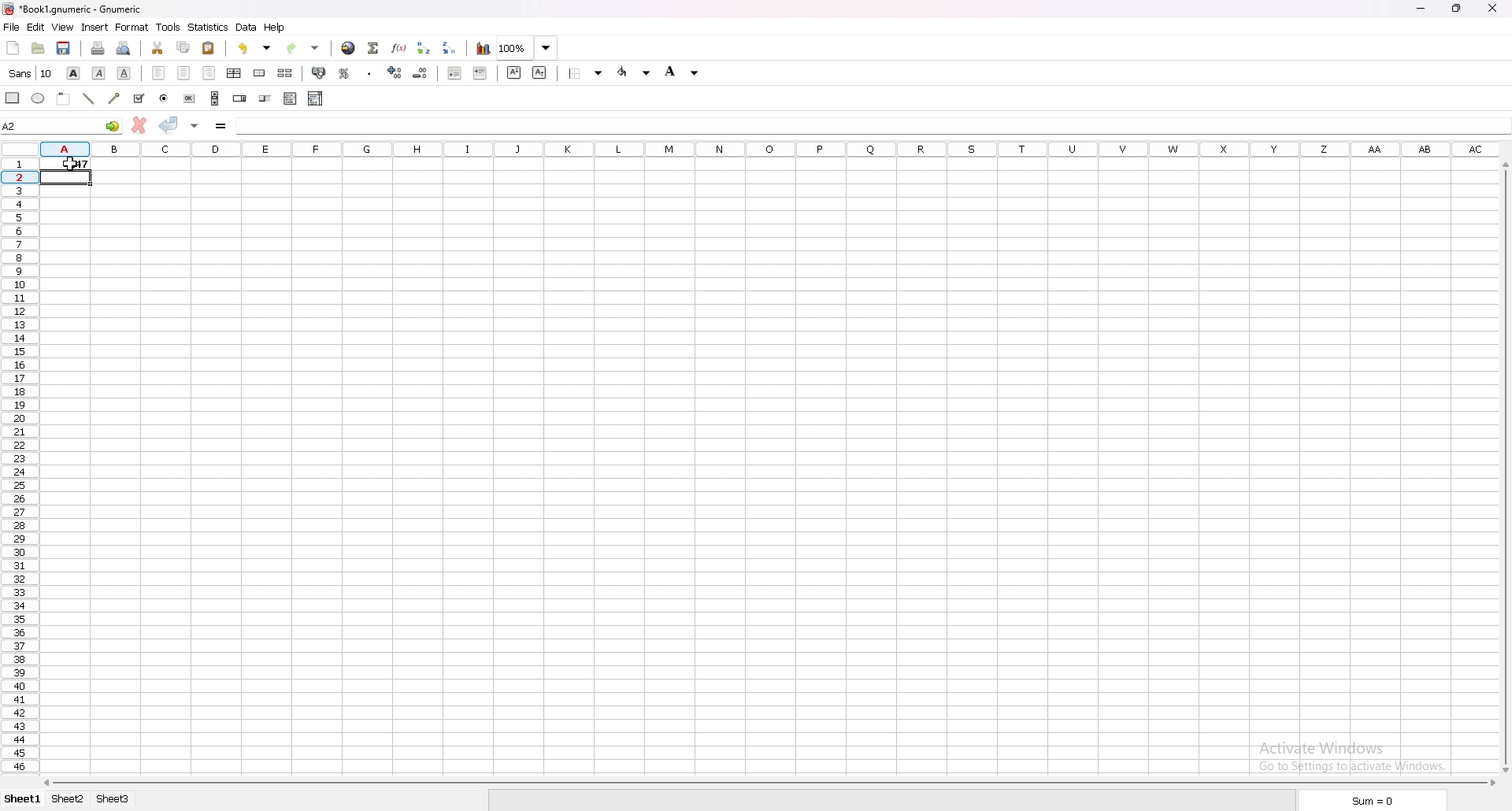  I want to click on combo box, so click(316, 98).